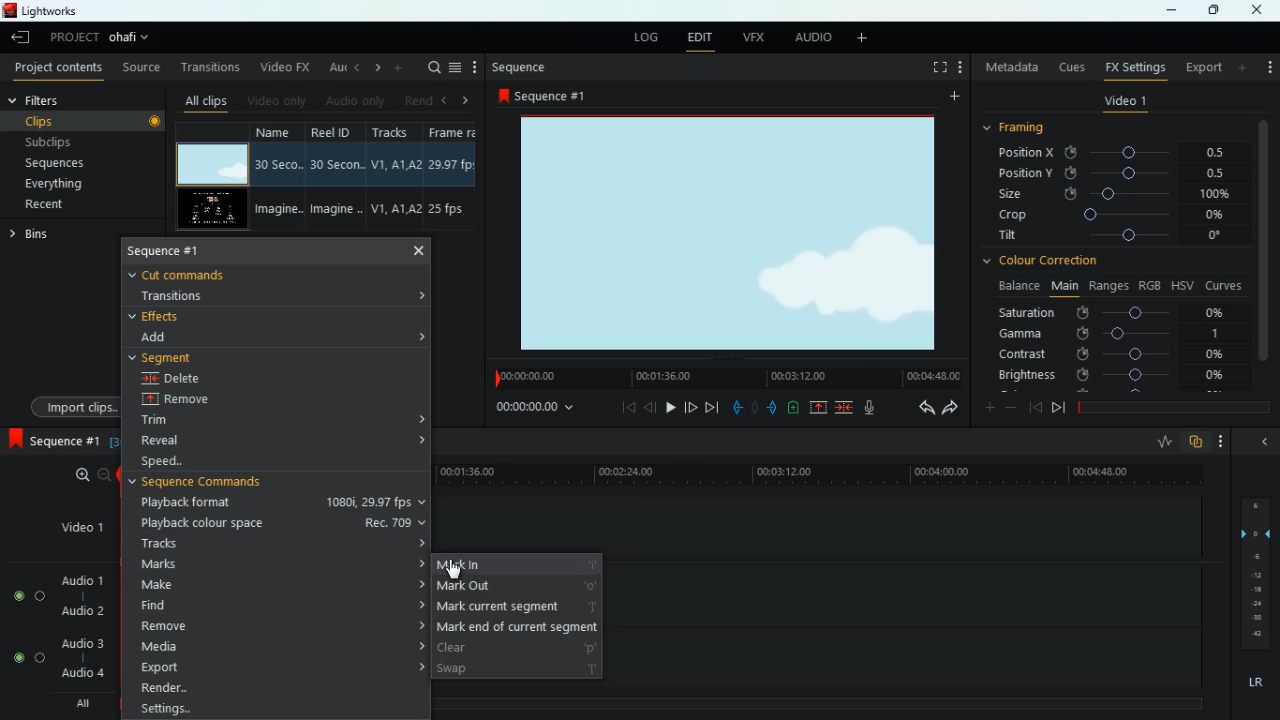 The image size is (1280, 720). What do you see at coordinates (446, 99) in the screenshot?
I see `left` at bounding box center [446, 99].